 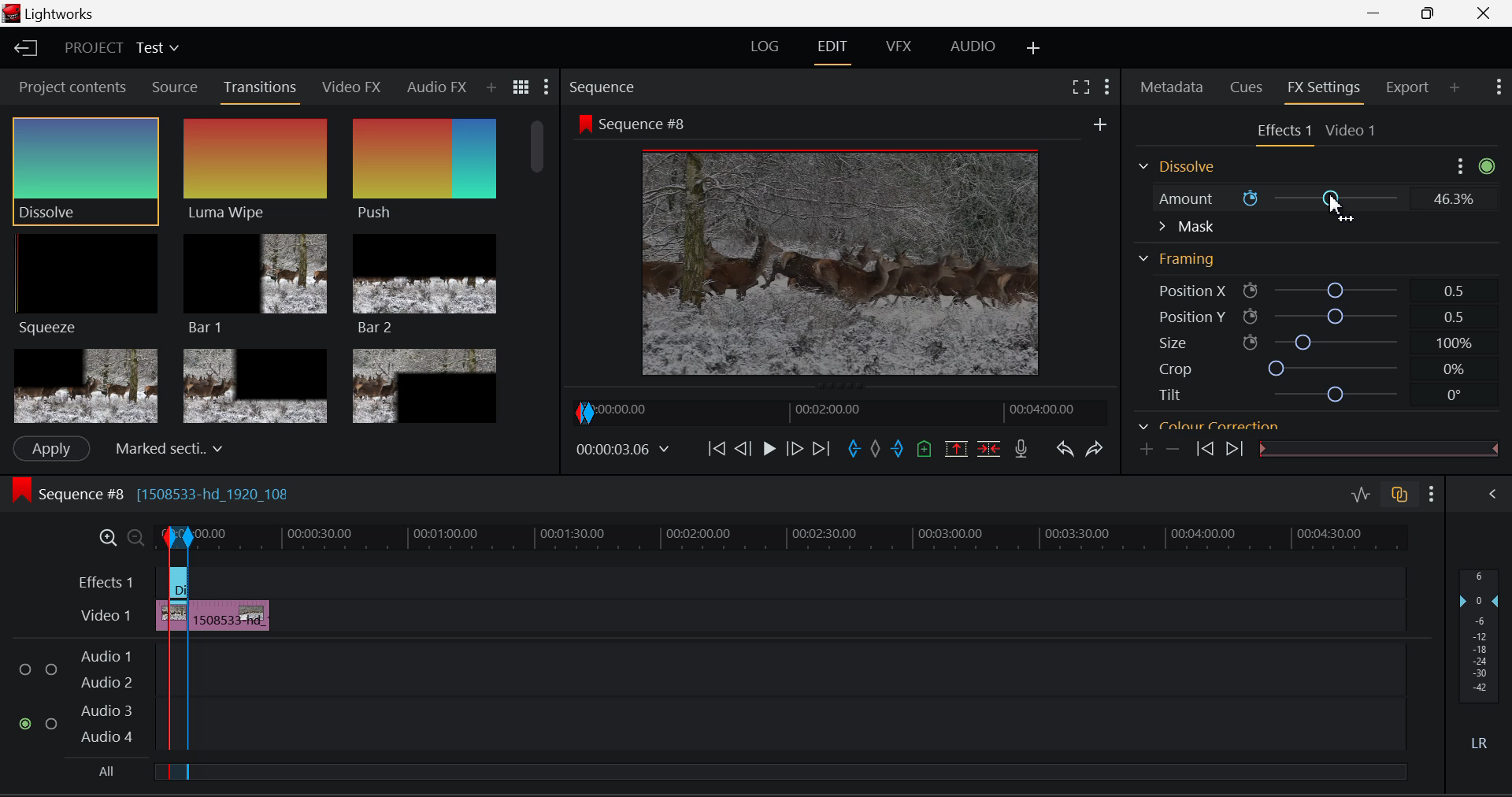 What do you see at coordinates (1107, 87) in the screenshot?
I see `Show Settings` at bounding box center [1107, 87].